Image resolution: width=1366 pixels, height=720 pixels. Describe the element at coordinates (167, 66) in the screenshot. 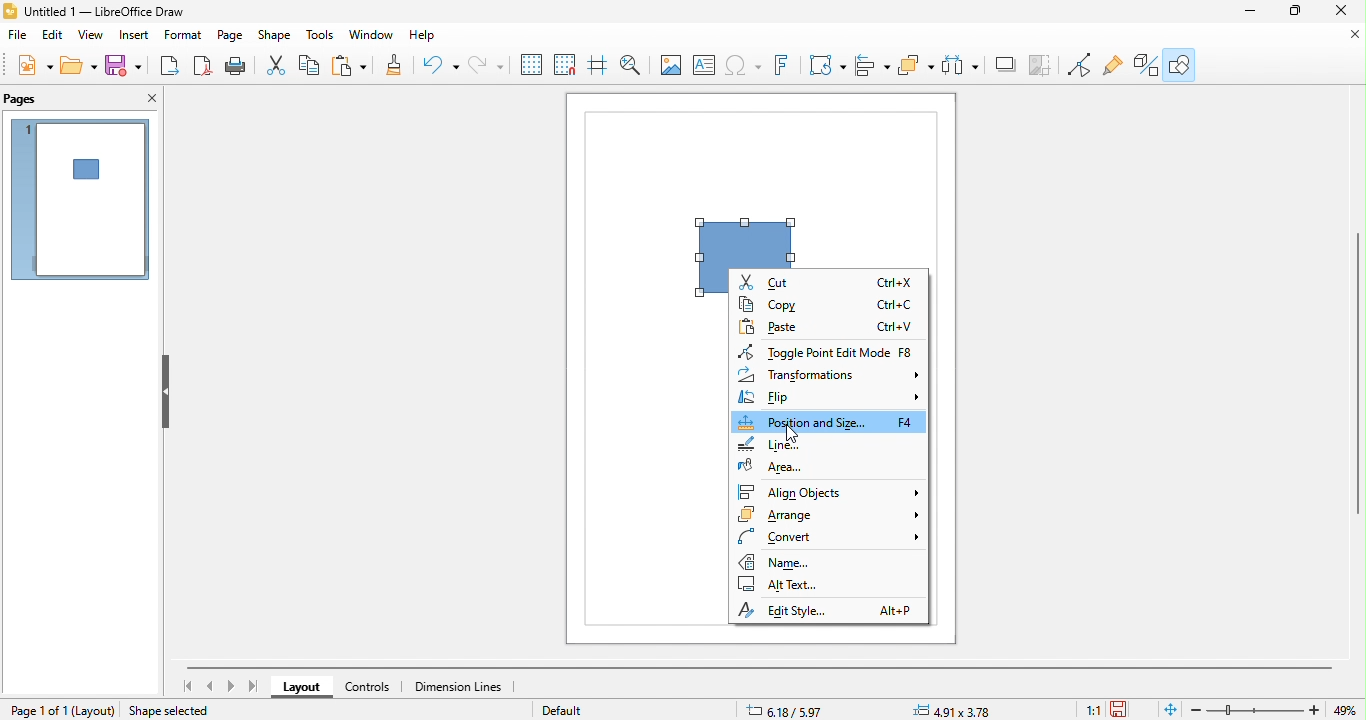

I see `export` at that location.